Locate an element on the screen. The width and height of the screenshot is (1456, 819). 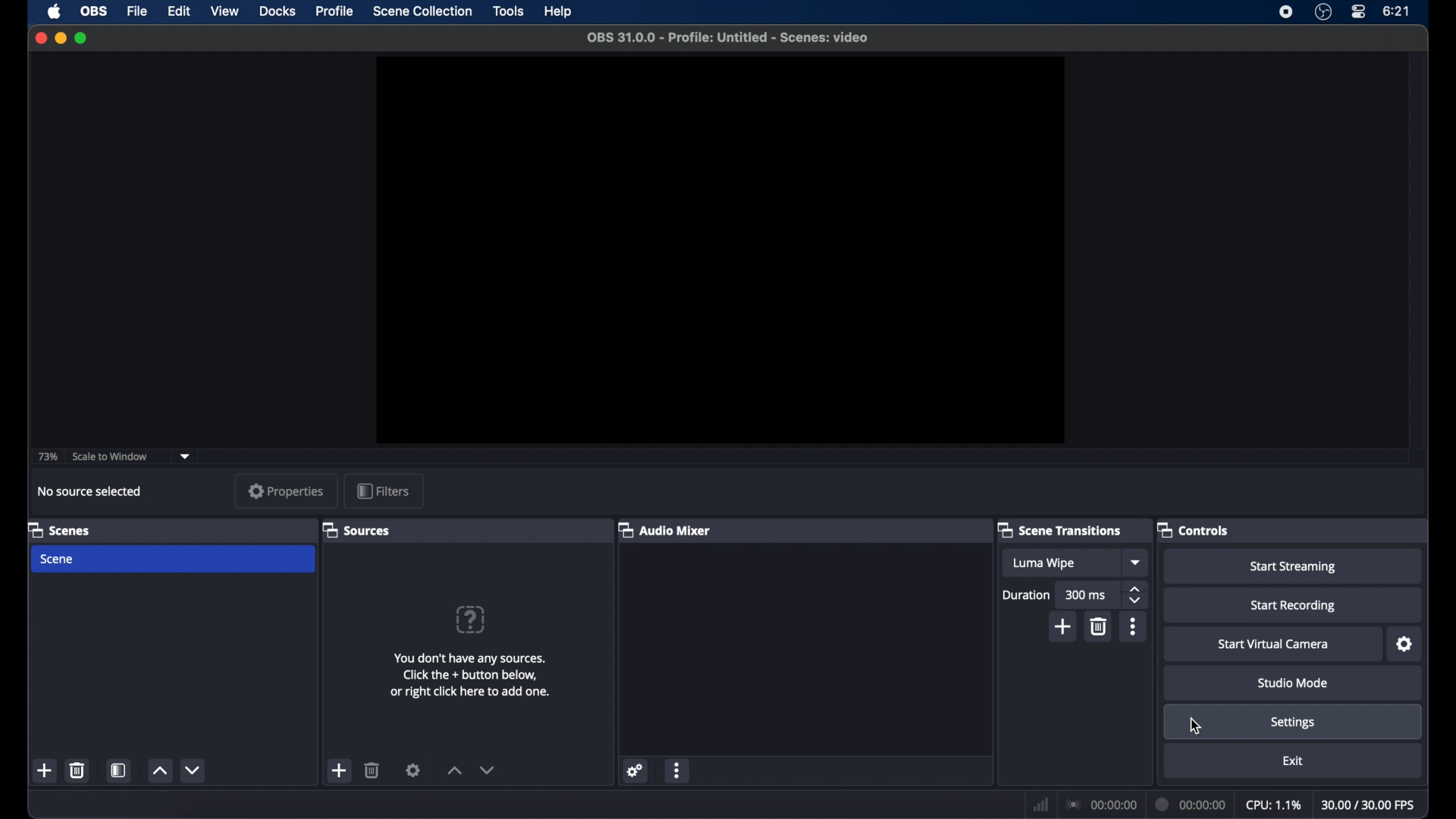
scenes is located at coordinates (58, 529).